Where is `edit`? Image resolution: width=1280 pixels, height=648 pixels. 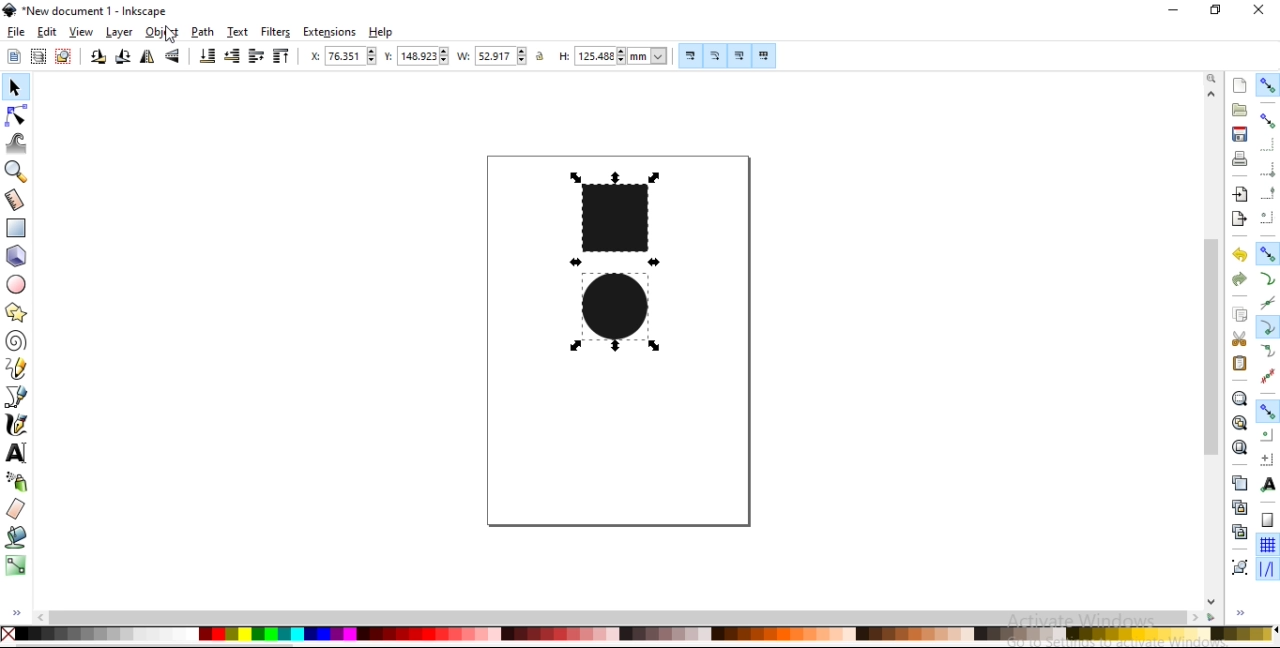
edit is located at coordinates (47, 32).